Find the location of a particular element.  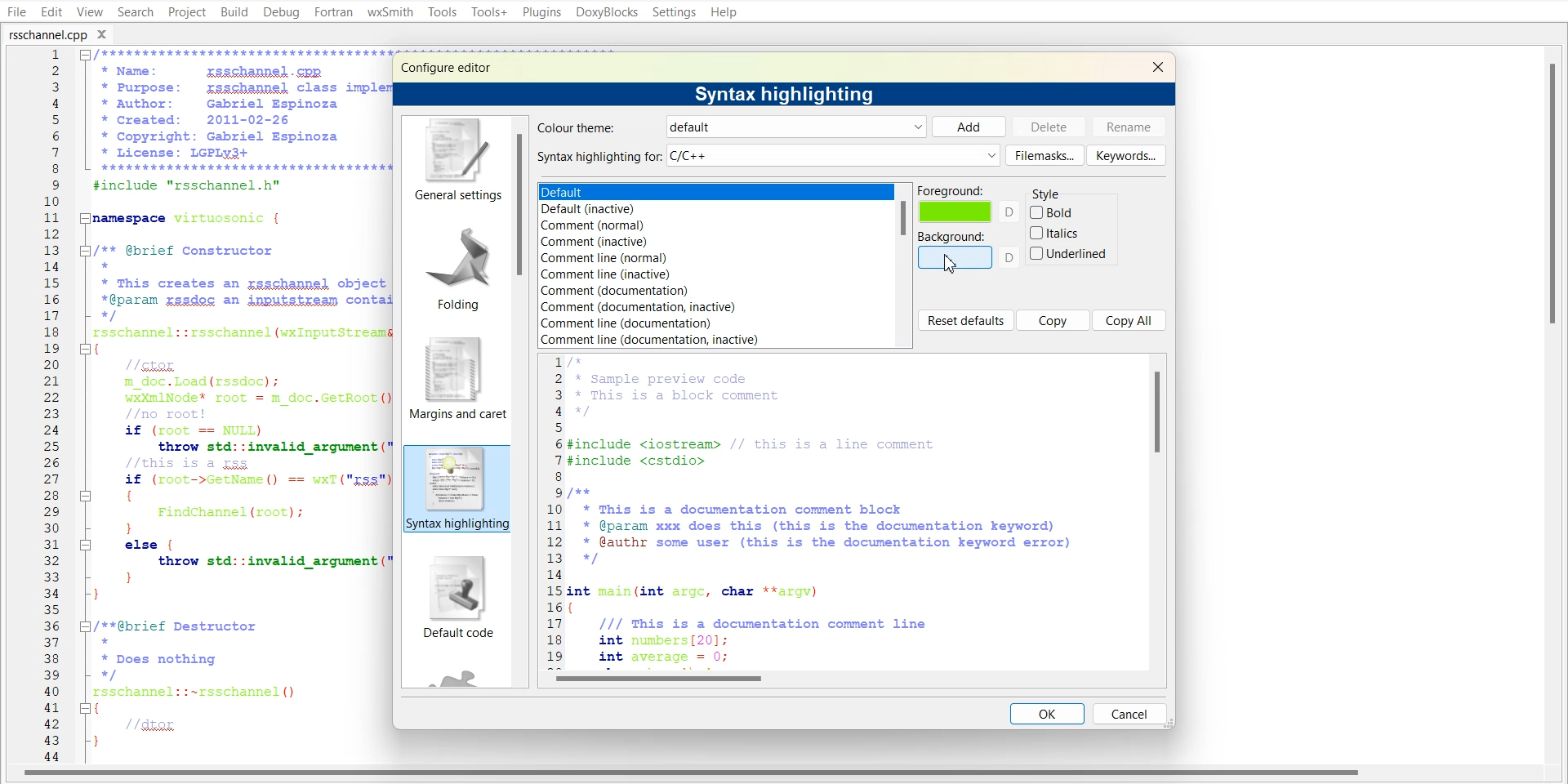

wxSmith is located at coordinates (390, 12).